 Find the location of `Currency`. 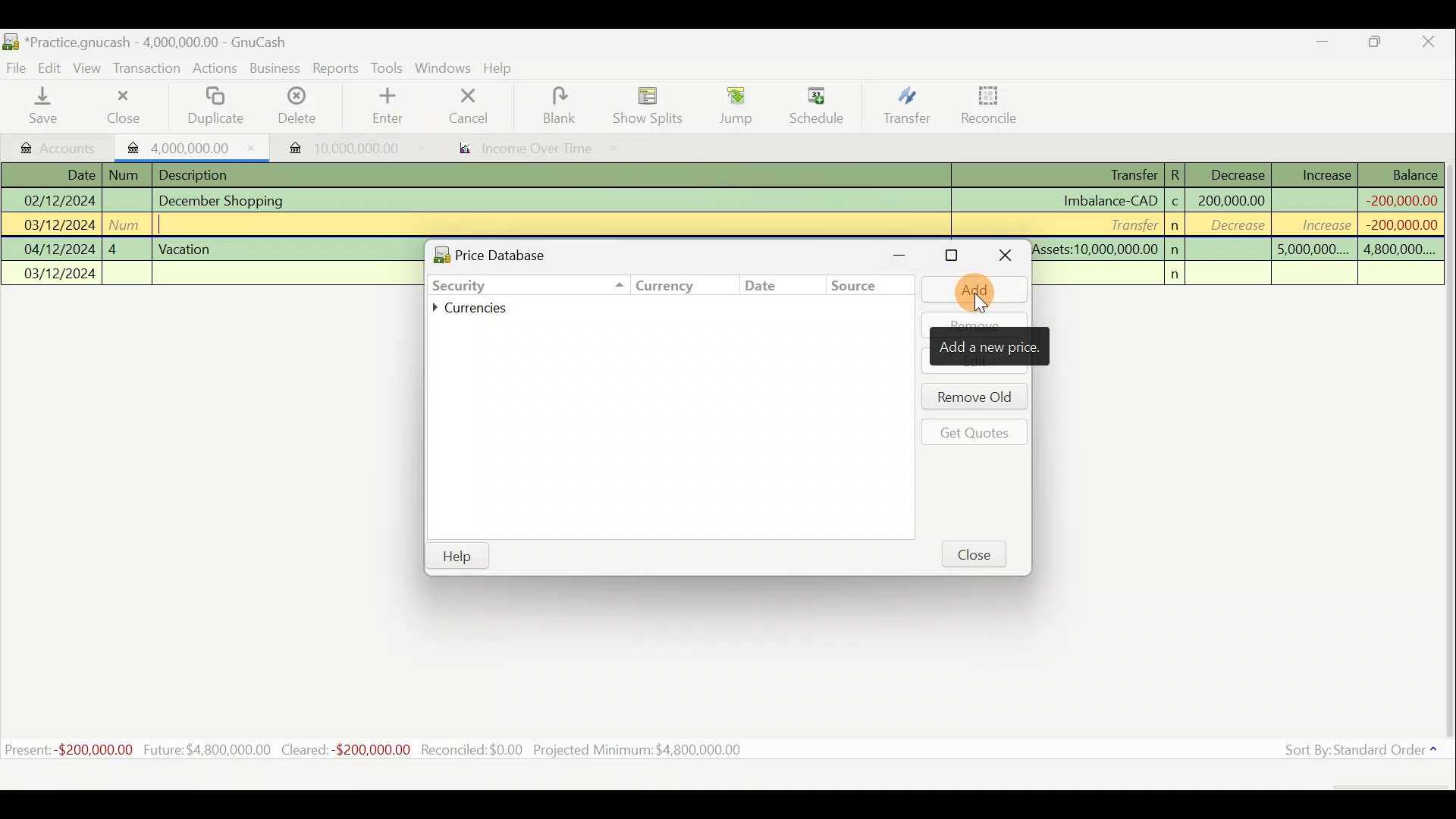

Currency is located at coordinates (688, 284).